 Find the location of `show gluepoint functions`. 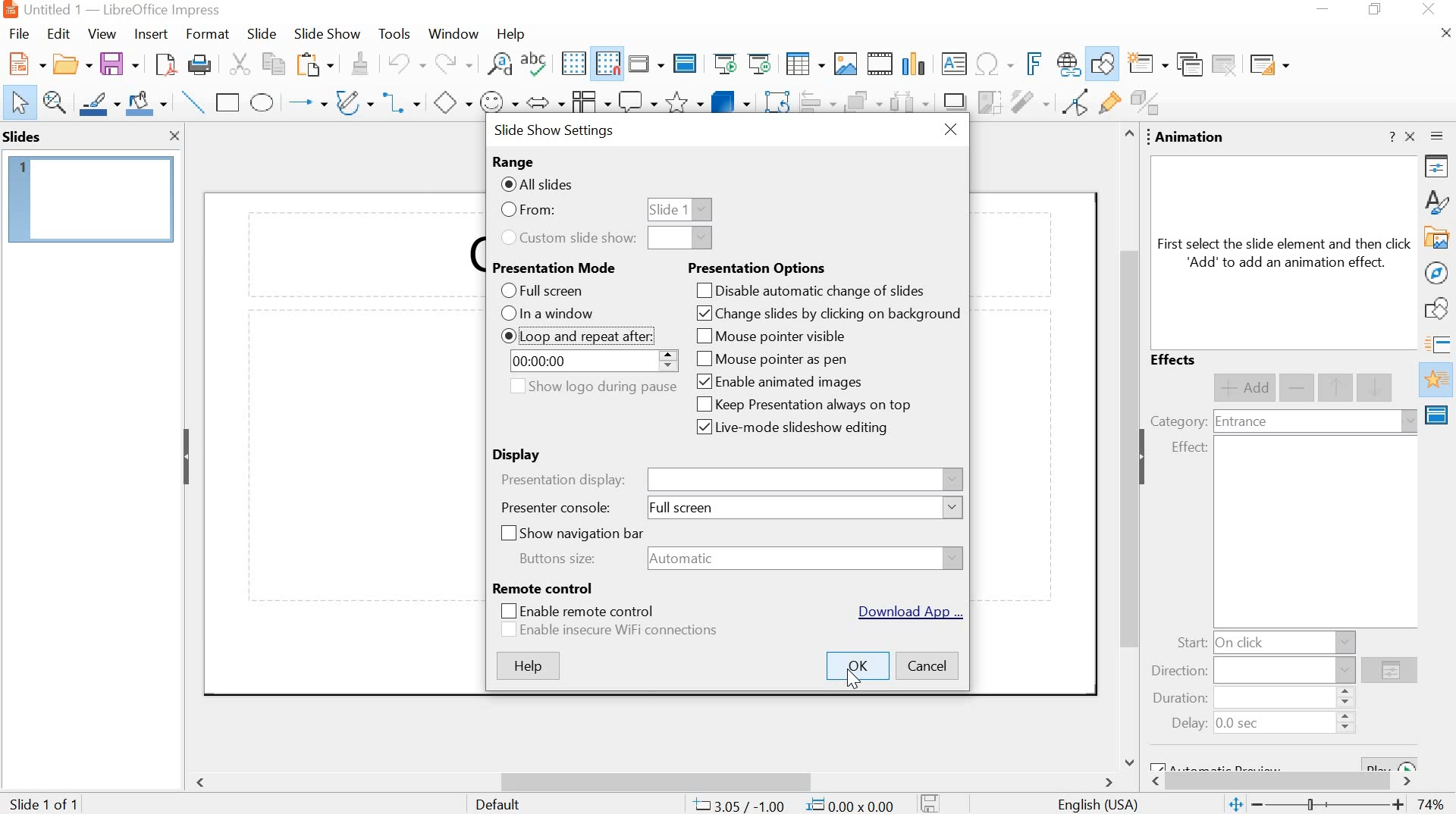

show gluepoint functions is located at coordinates (1106, 104).